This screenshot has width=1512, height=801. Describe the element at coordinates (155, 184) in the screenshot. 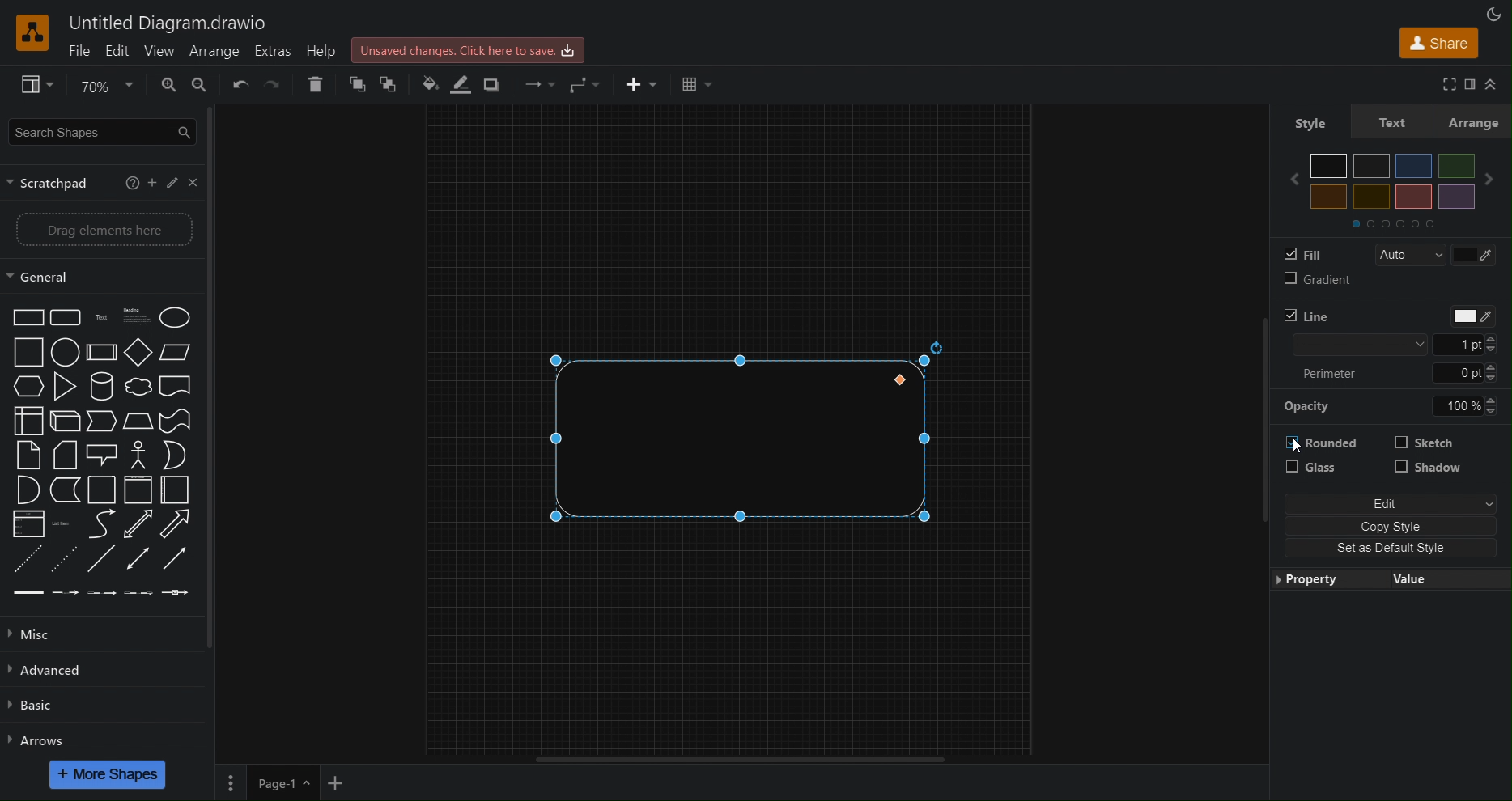

I see `add` at that location.